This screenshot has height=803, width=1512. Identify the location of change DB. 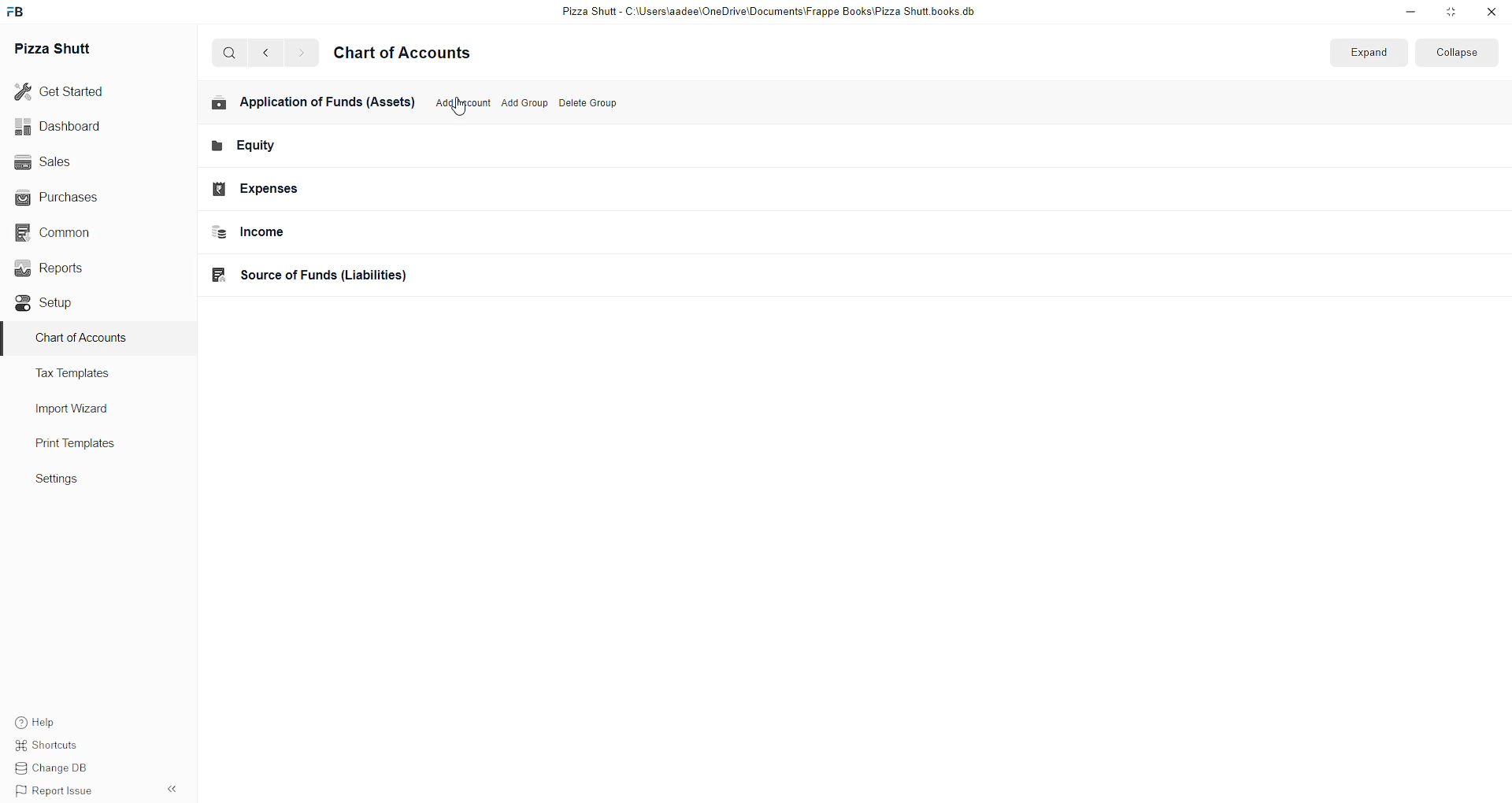
(51, 771).